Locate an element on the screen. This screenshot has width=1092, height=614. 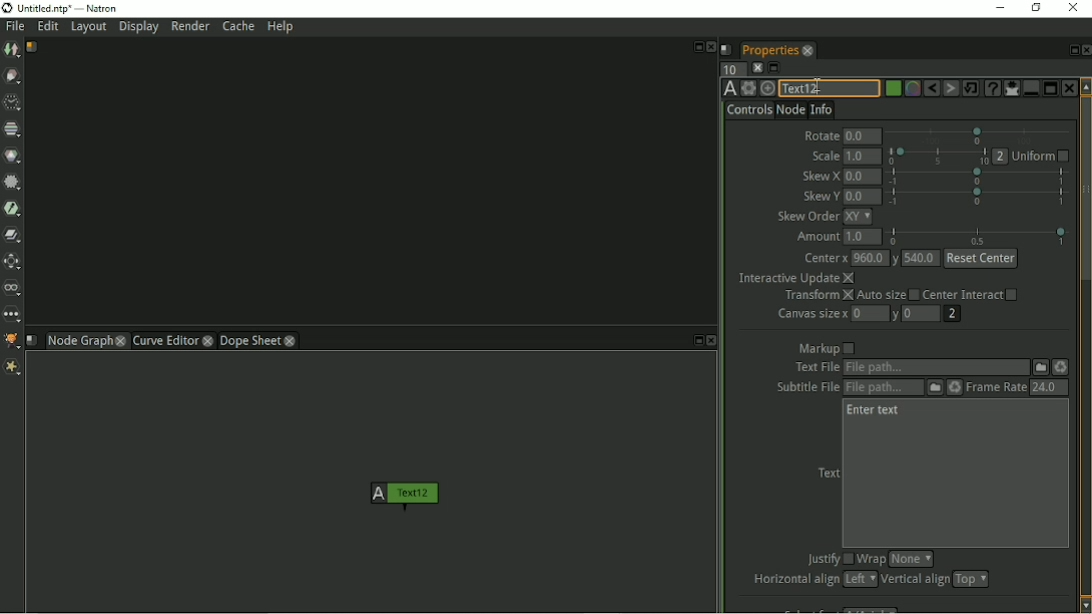
Reset Center is located at coordinates (982, 259).